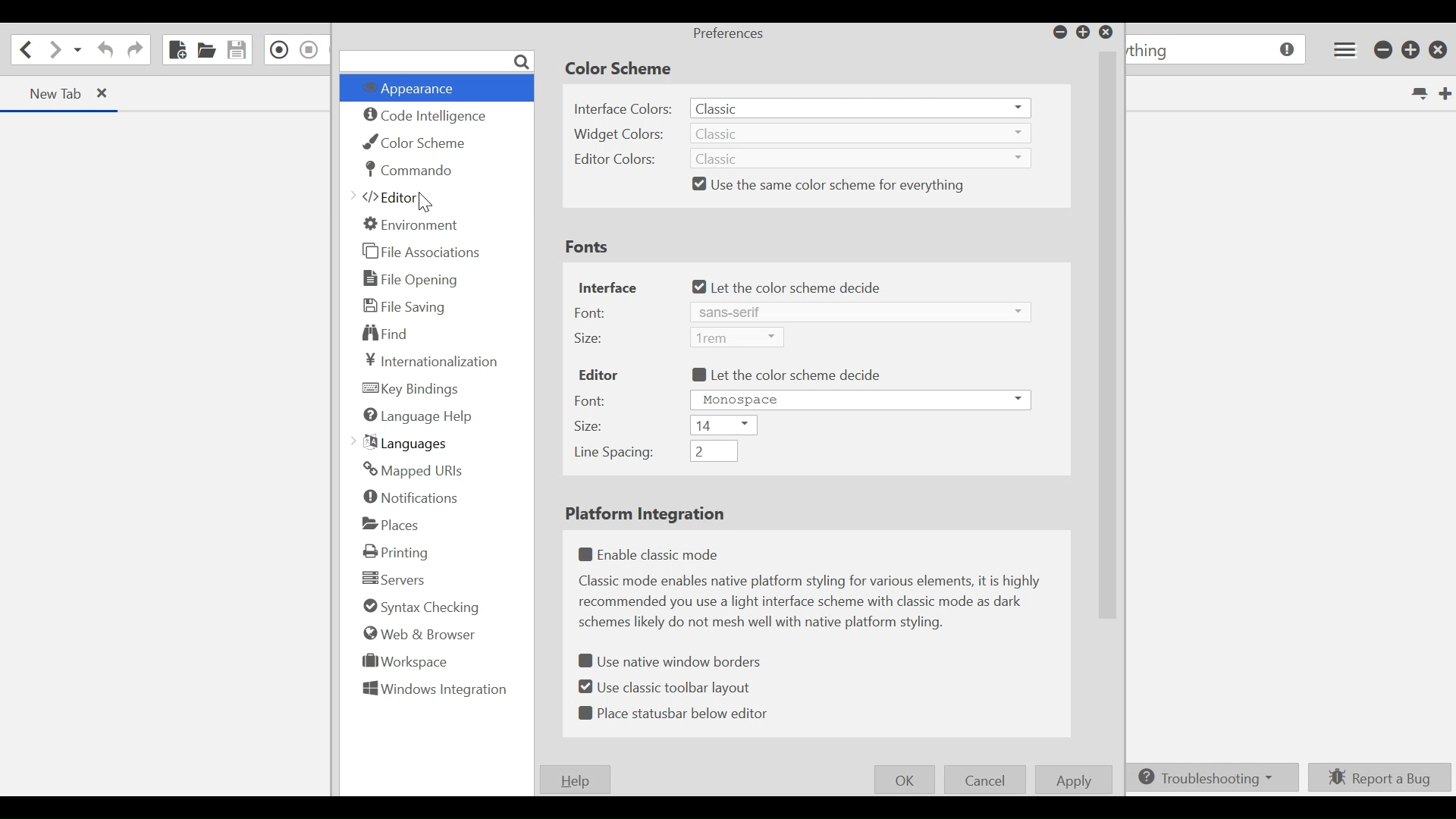  What do you see at coordinates (858, 399) in the screenshot?
I see `monospace` at bounding box center [858, 399].